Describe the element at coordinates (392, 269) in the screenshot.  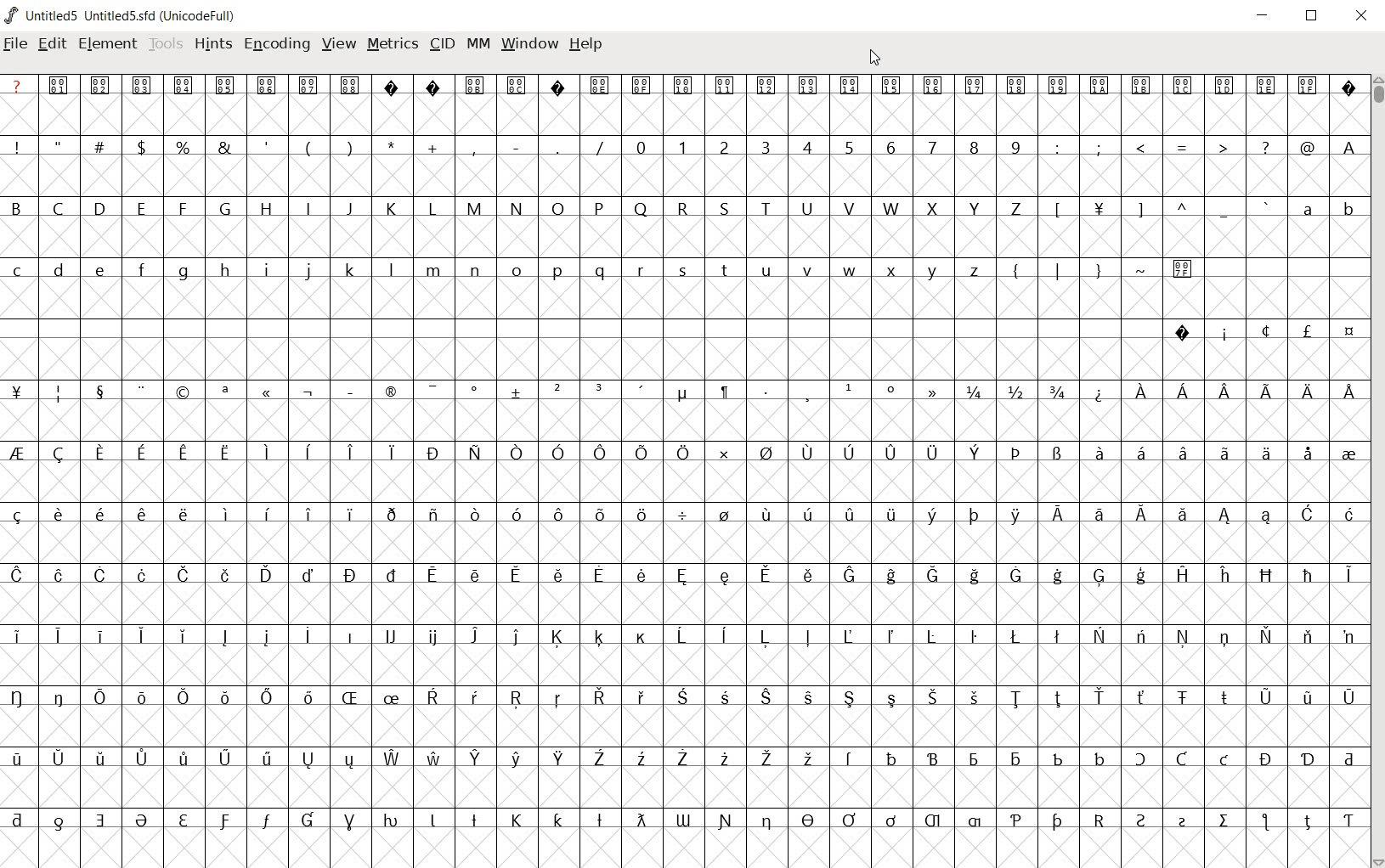
I see `l` at that location.